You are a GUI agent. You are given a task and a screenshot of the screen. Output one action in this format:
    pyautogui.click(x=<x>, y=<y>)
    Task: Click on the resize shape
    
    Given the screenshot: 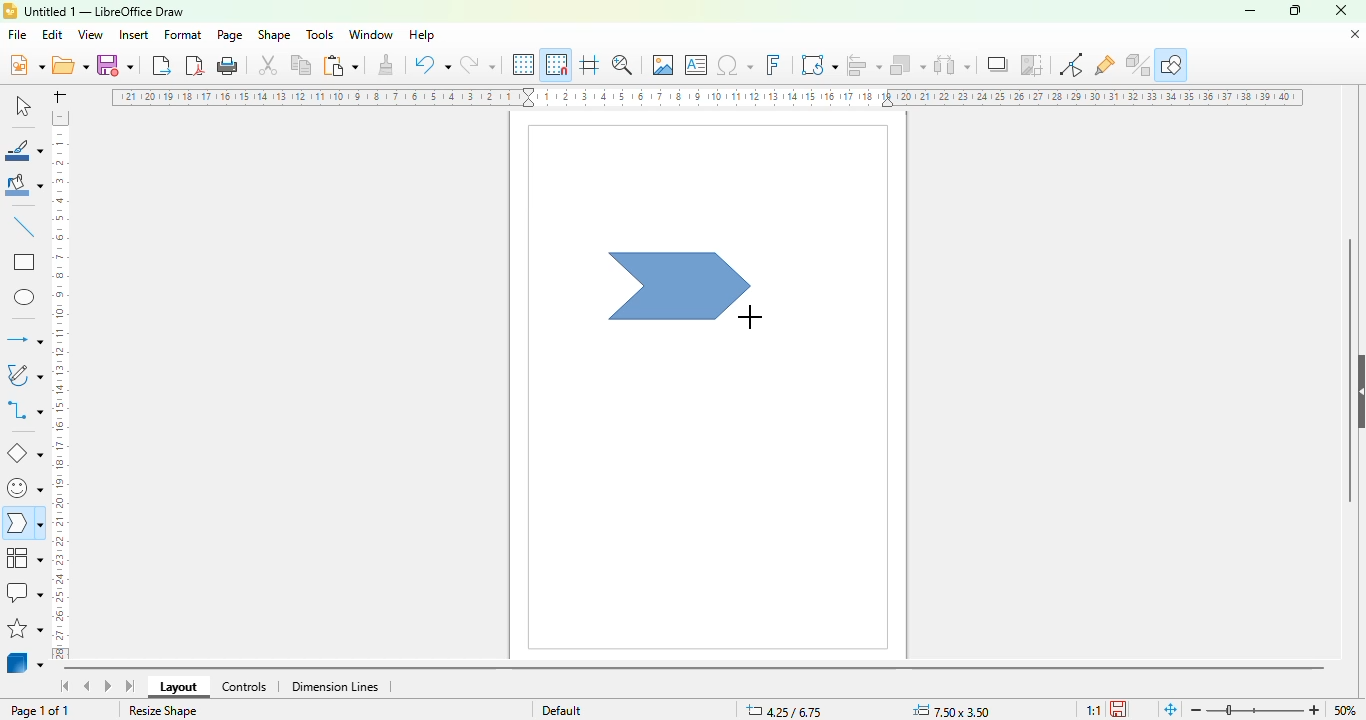 What is the action you would take?
    pyautogui.click(x=163, y=710)
    